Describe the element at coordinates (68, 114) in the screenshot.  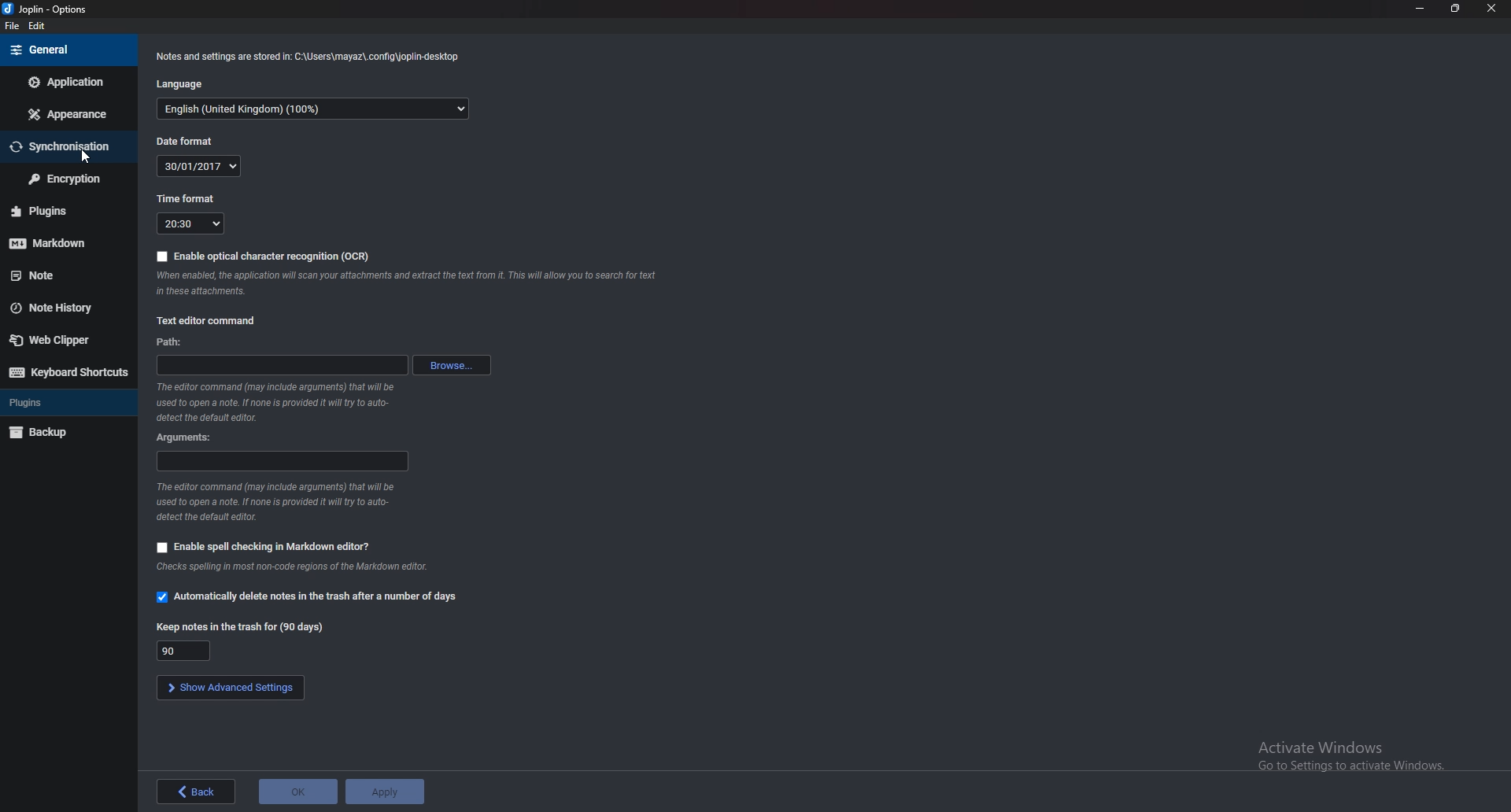
I see `appearance` at that location.